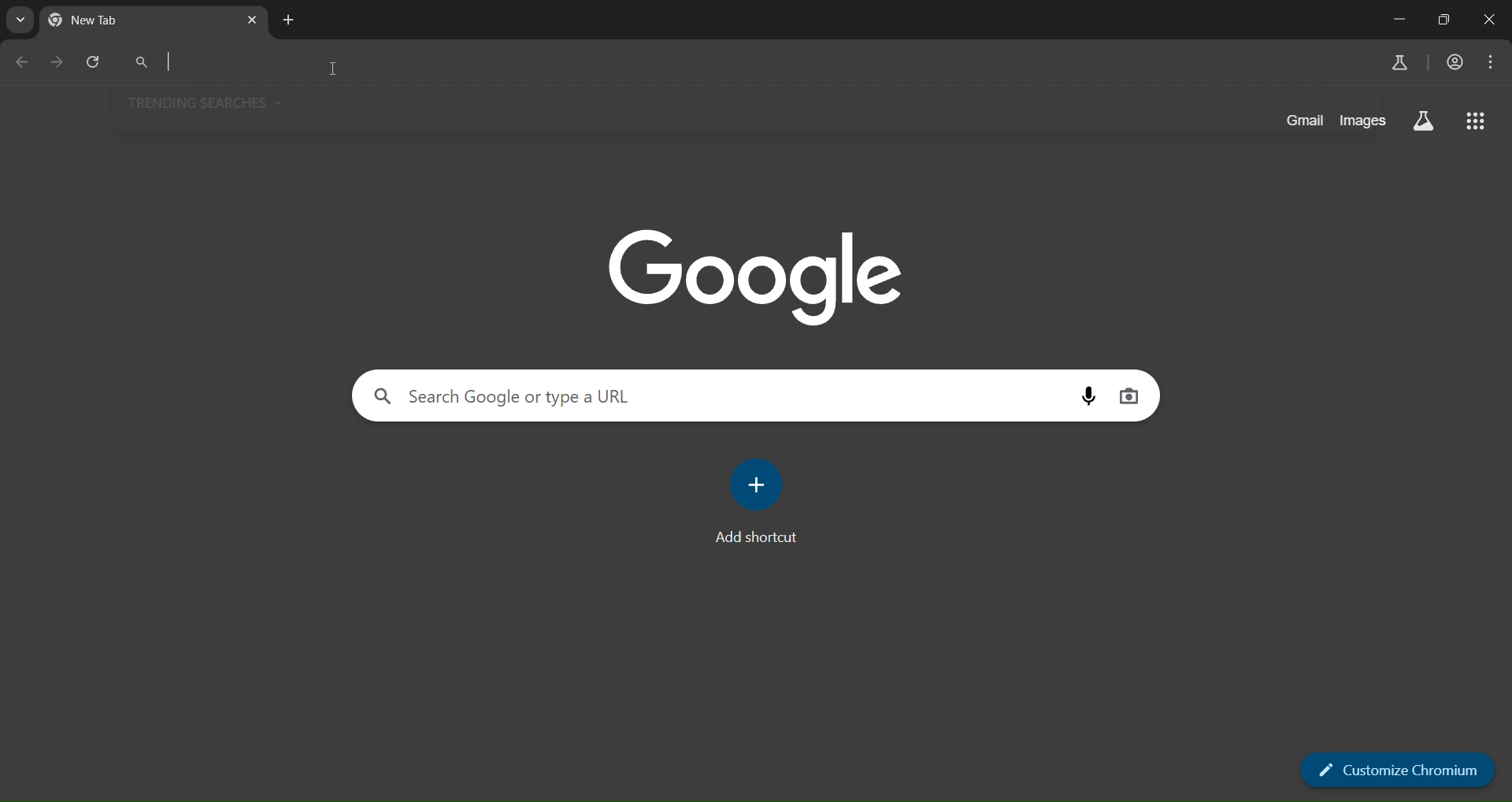 This screenshot has height=802, width=1512. I want to click on accounts, so click(1455, 61).